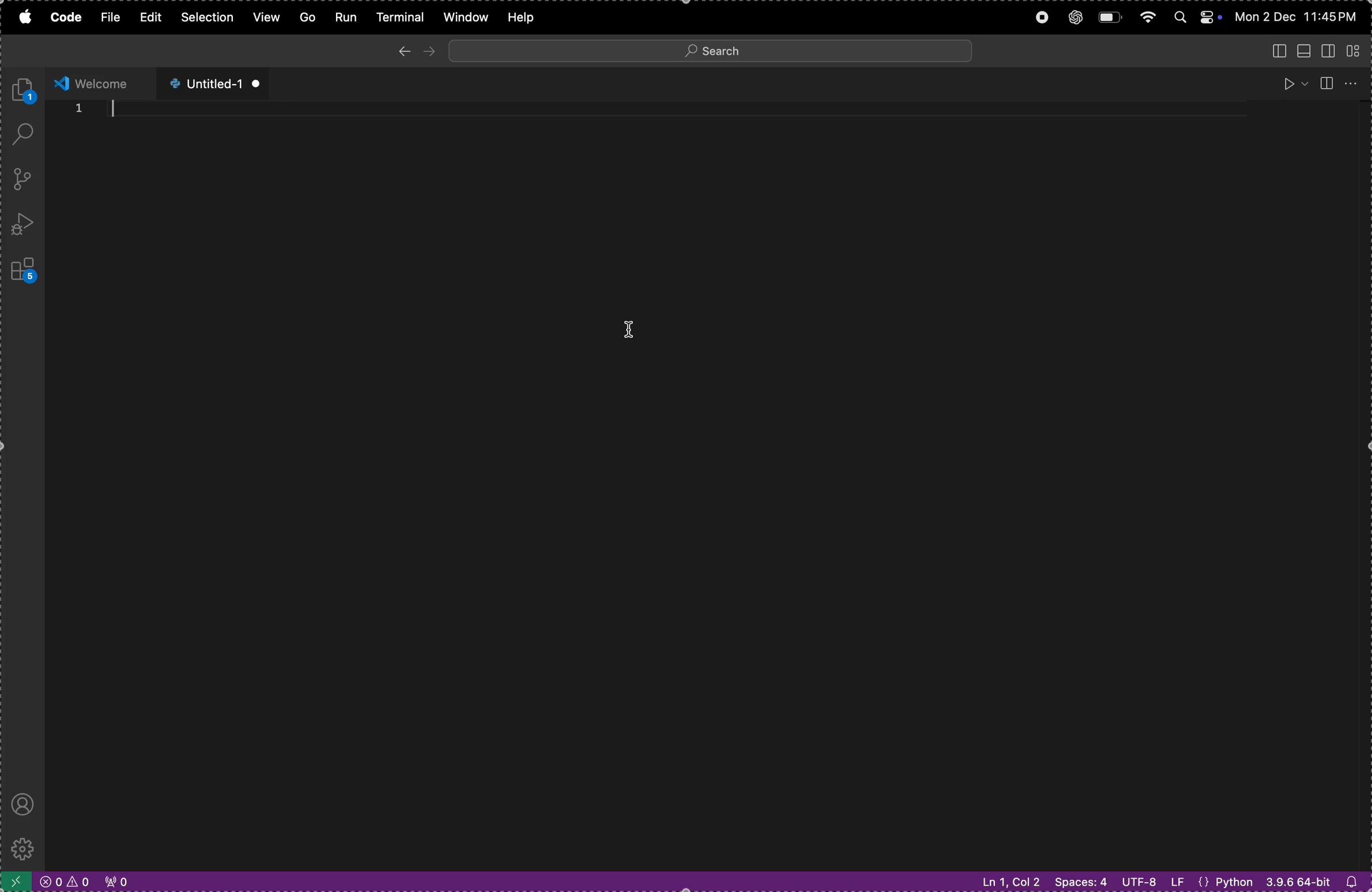  What do you see at coordinates (632, 331) in the screenshot?
I see `Cursor` at bounding box center [632, 331].